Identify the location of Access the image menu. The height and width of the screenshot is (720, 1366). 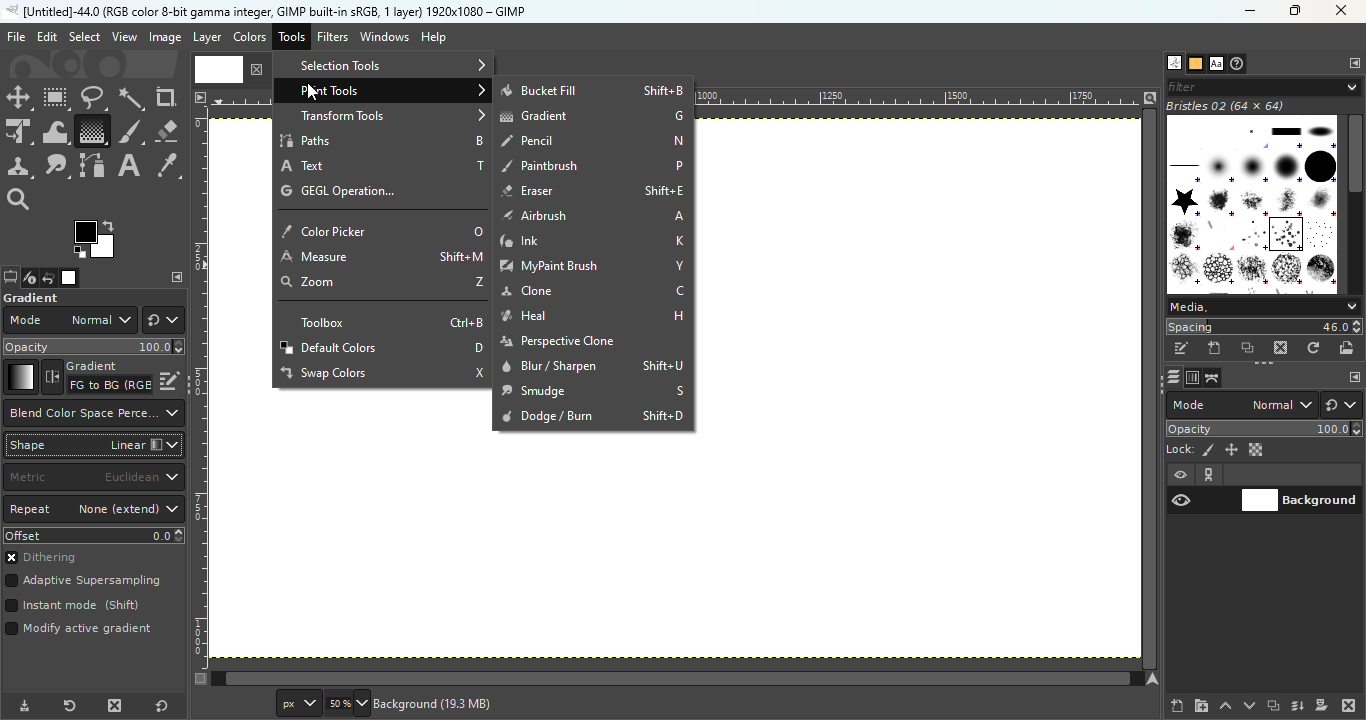
(199, 95).